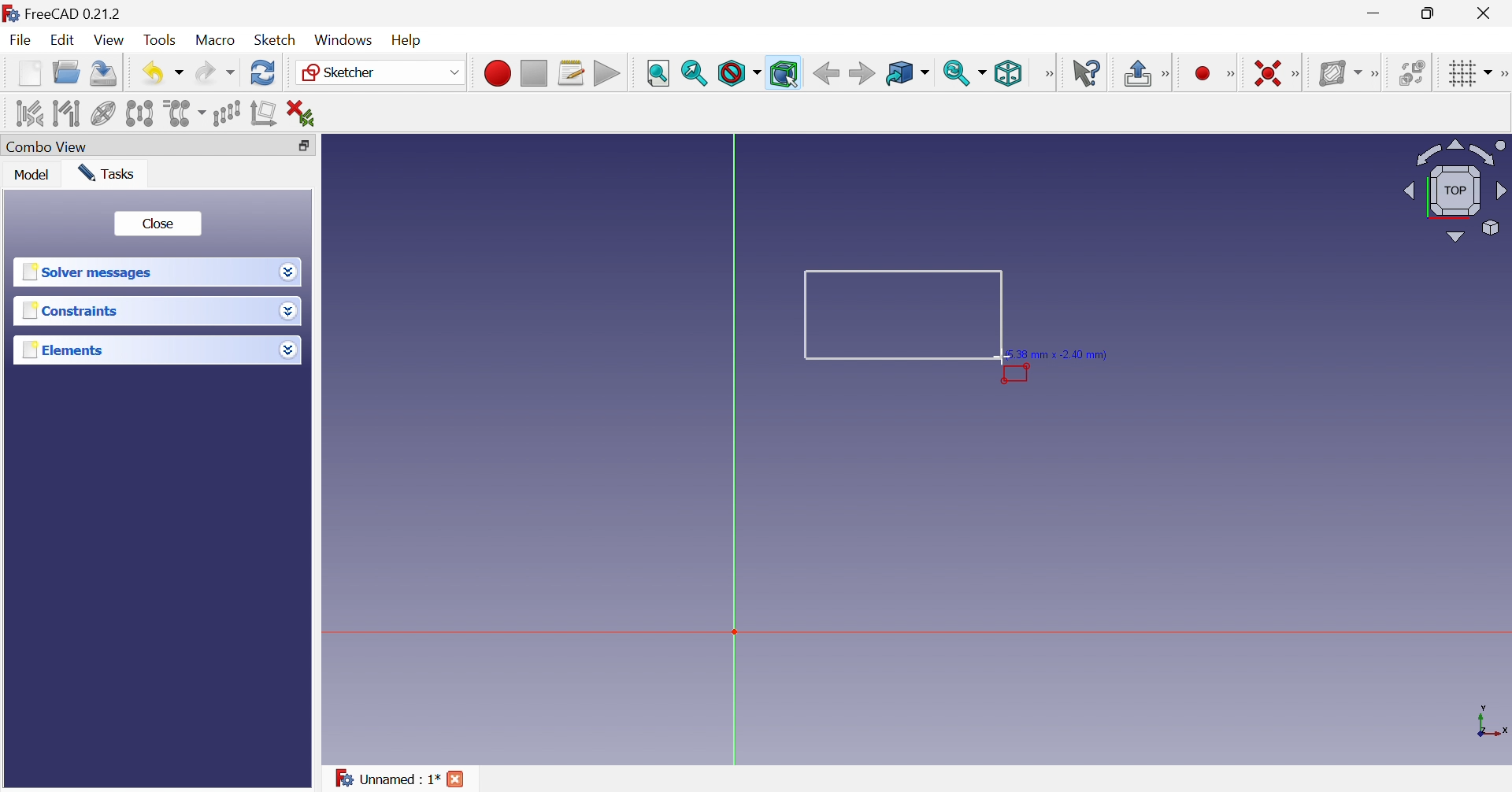 The width and height of the screenshot is (1512, 792). Describe the element at coordinates (965, 73) in the screenshot. I see `Sync view` at that location.